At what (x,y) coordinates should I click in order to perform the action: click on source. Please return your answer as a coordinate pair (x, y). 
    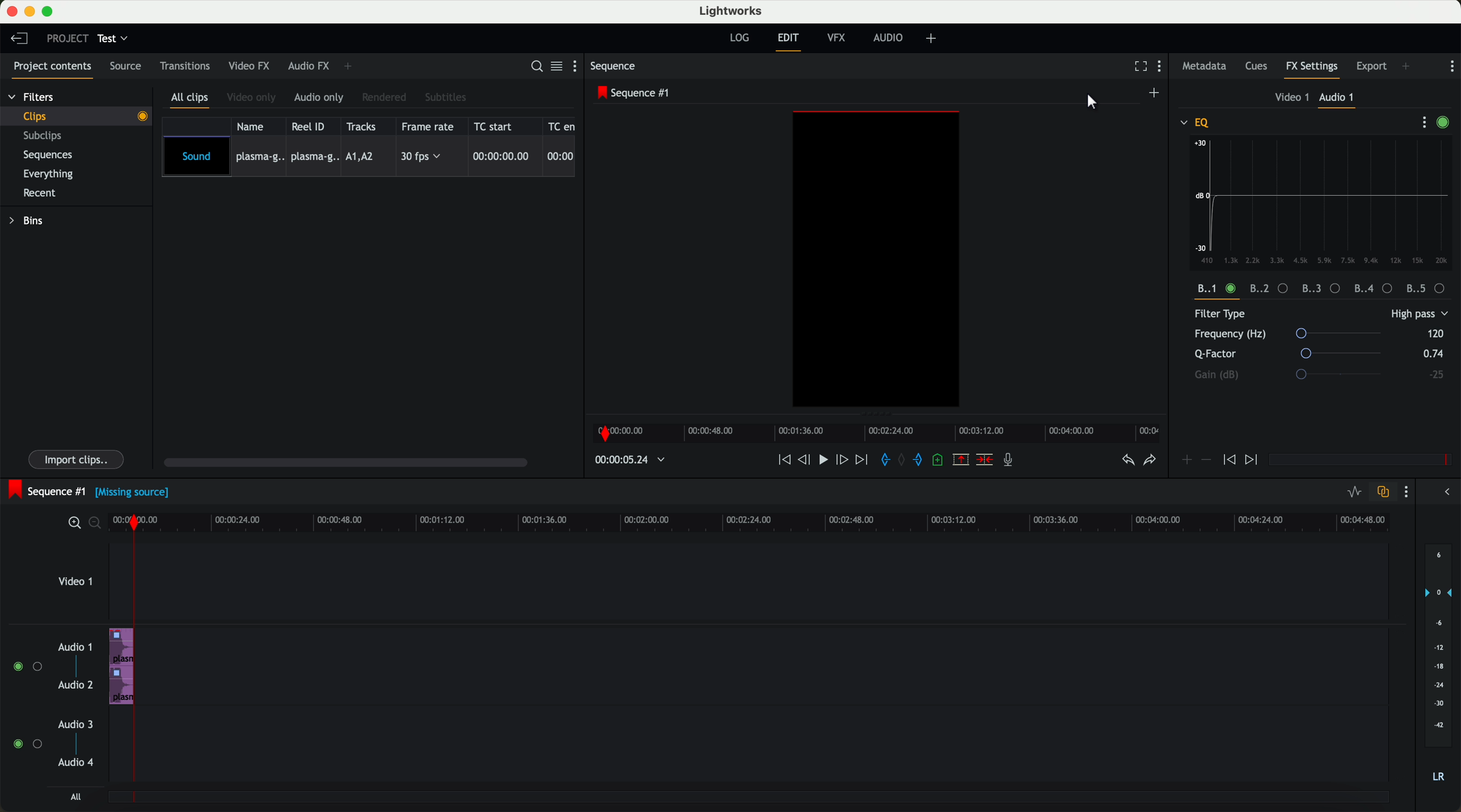
    Looking at the image, I should click on (129, 67).